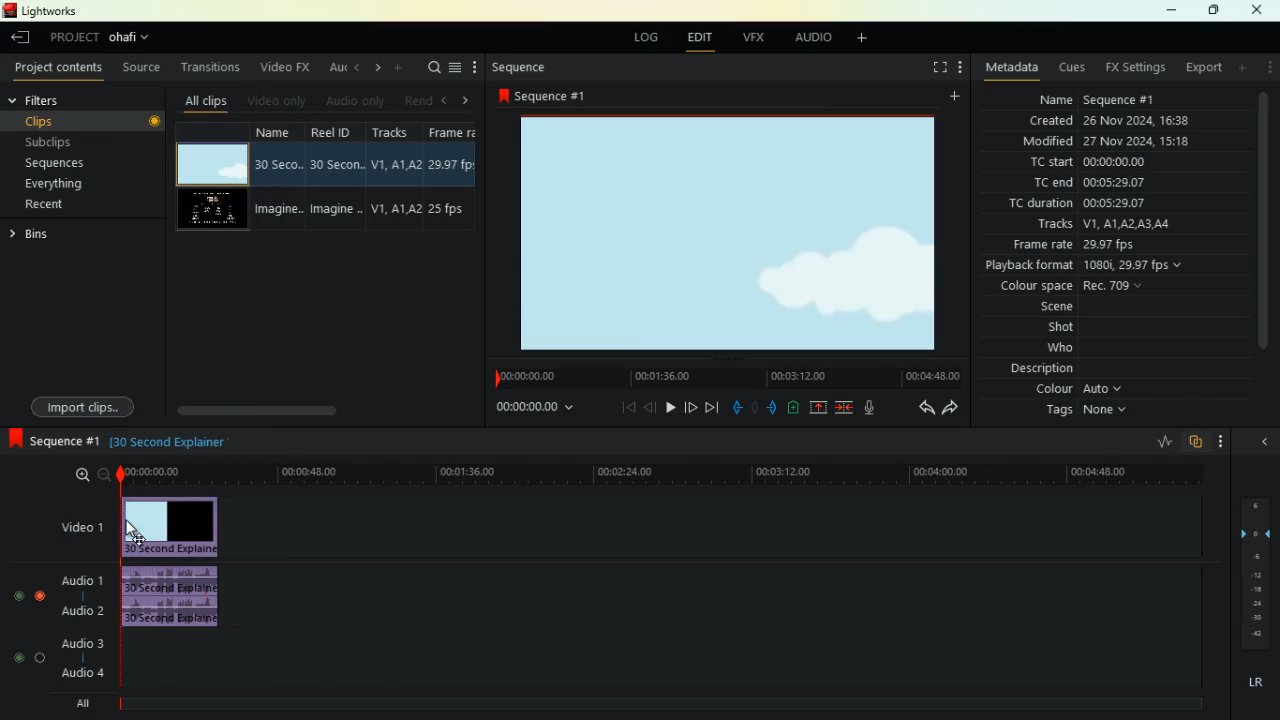 Image resolution: width=1280 pixels, height=720 pixels. Describe the element at coordinates (63, 164) in the screenshot. I see `sequences` at that location.